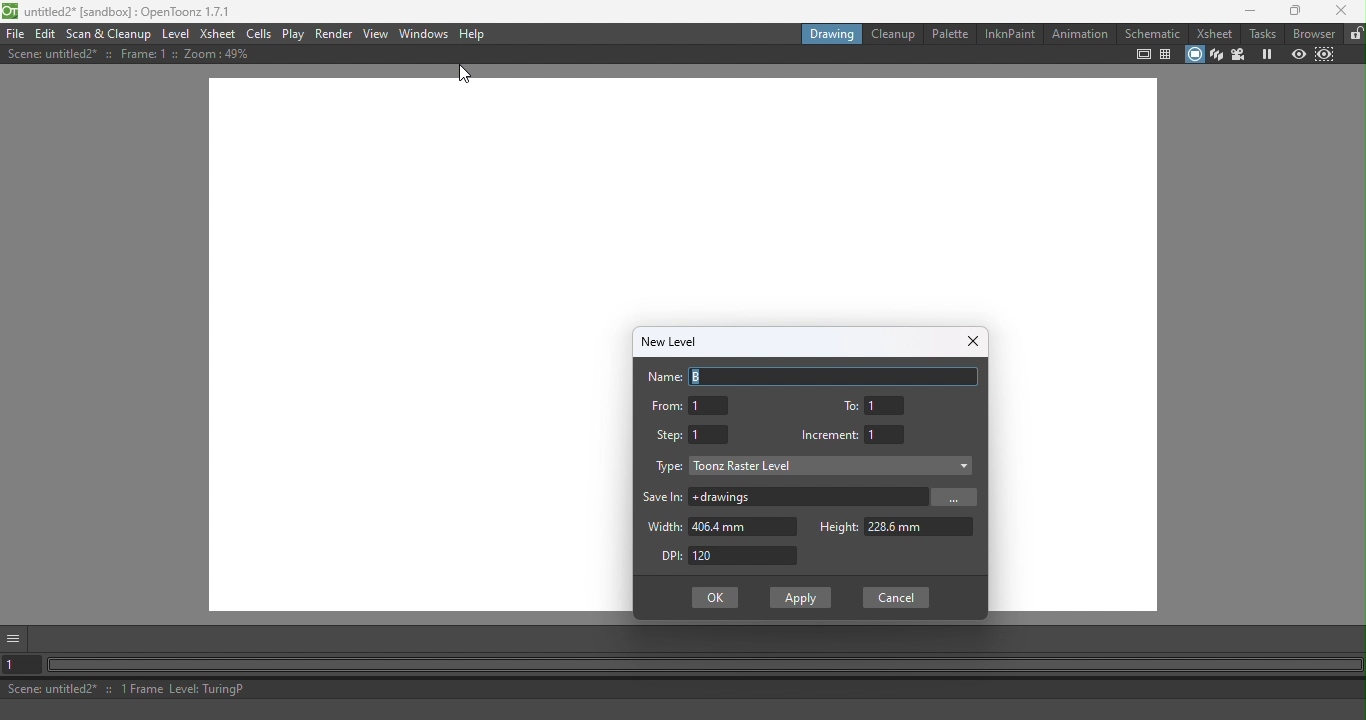 This screenshot has width=1366, height=720. Describe the element at coordinates (807, 498) in the screenshot. I see `File address` at that location.